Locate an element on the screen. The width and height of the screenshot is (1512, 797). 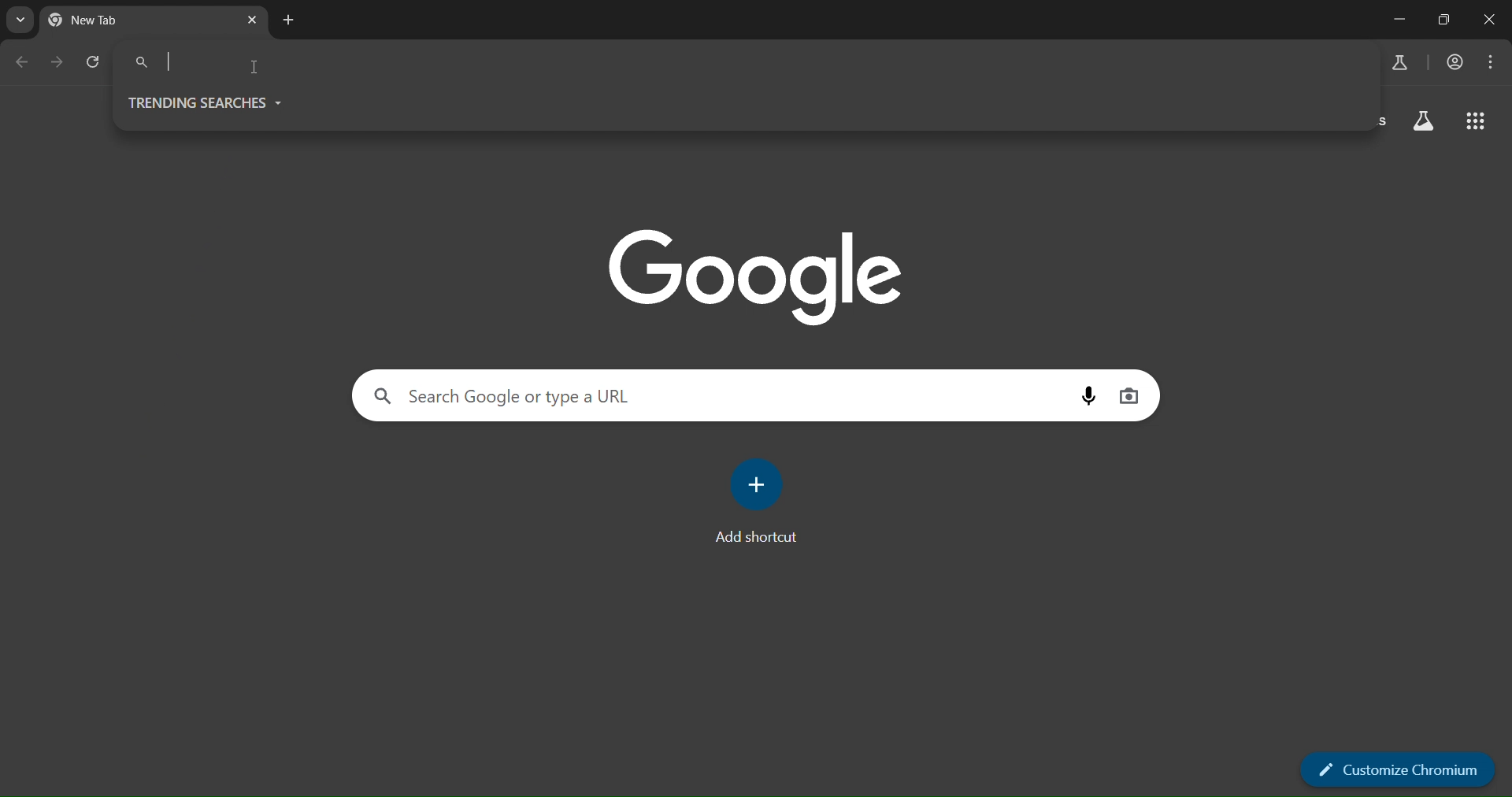
cursor is located at coordinates (255, 71).